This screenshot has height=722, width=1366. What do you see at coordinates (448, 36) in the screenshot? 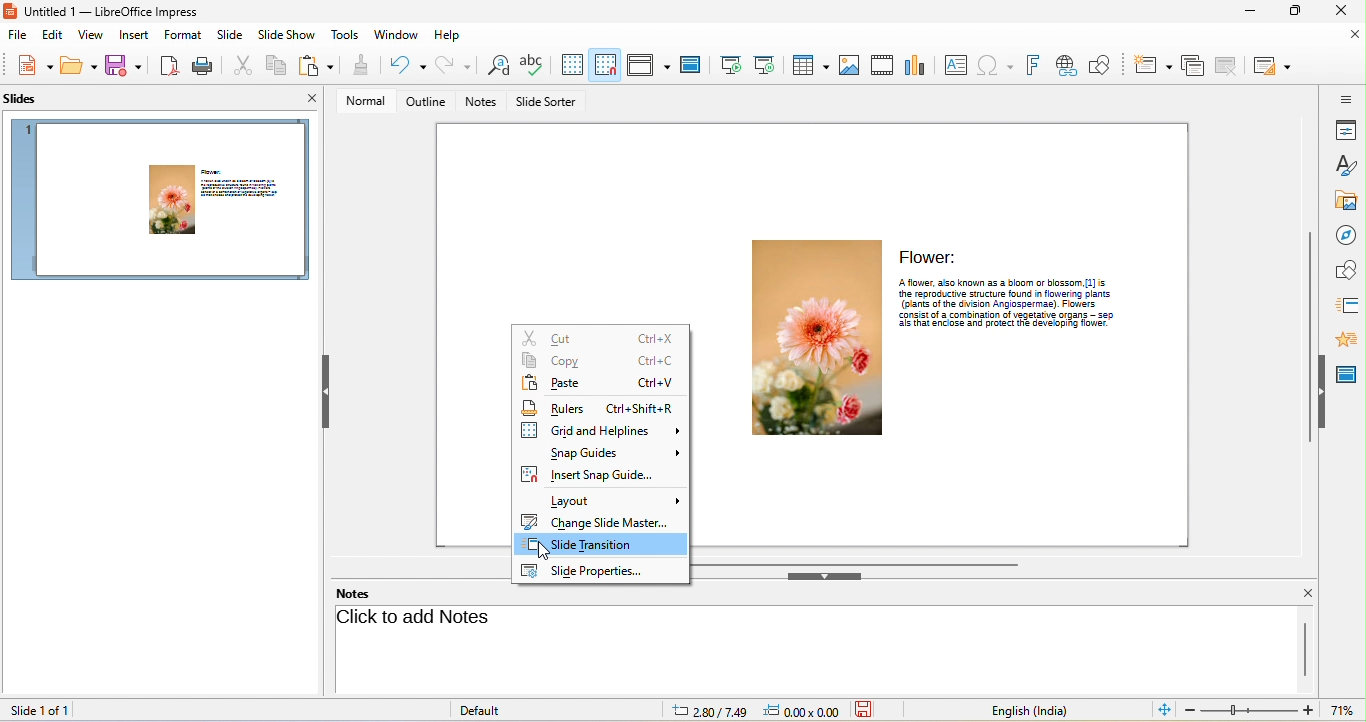
I see `help` at bounding box center [448, 36].